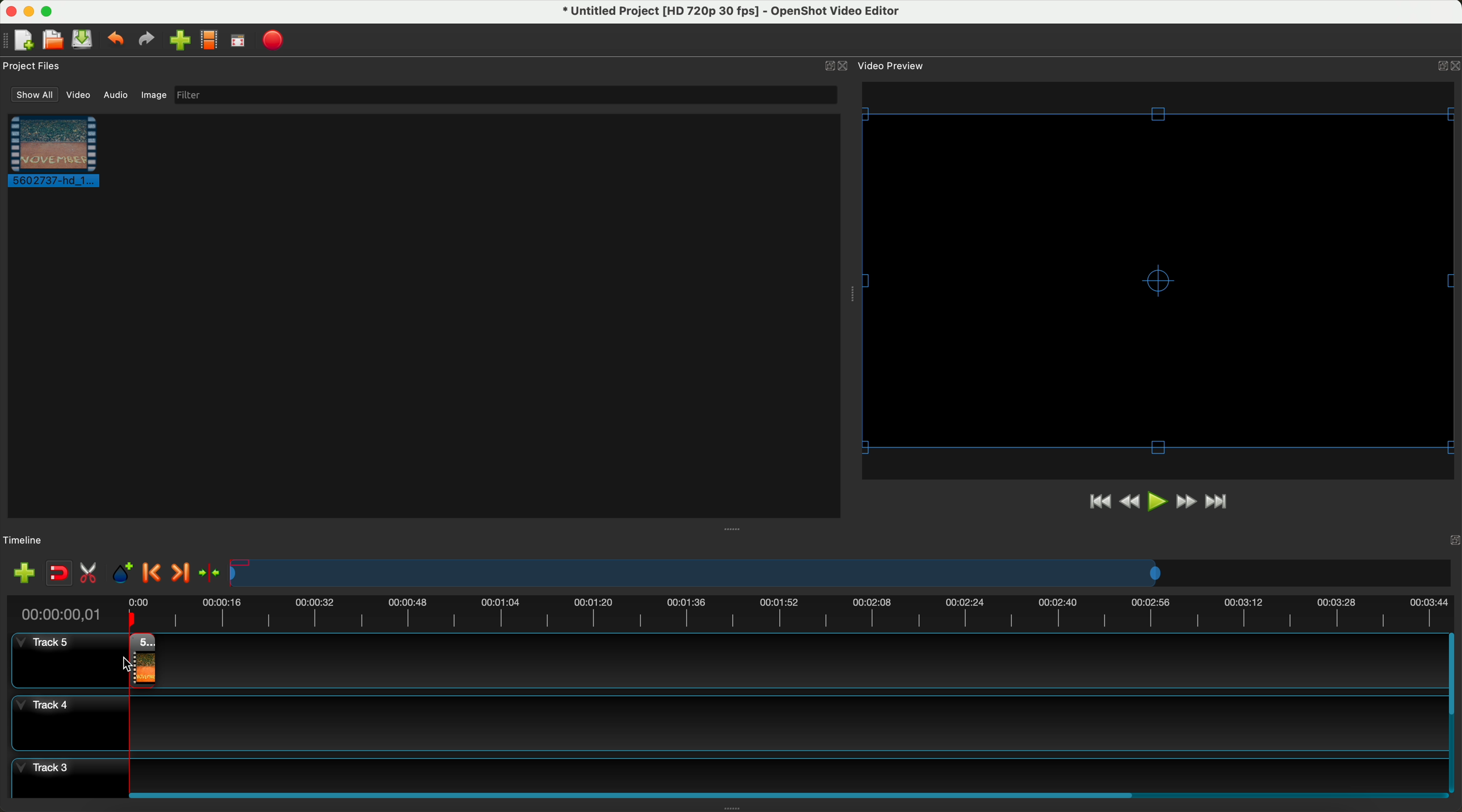 This screenshot has width=1462, height=812. I want to click on video preview, so click(892, 65).